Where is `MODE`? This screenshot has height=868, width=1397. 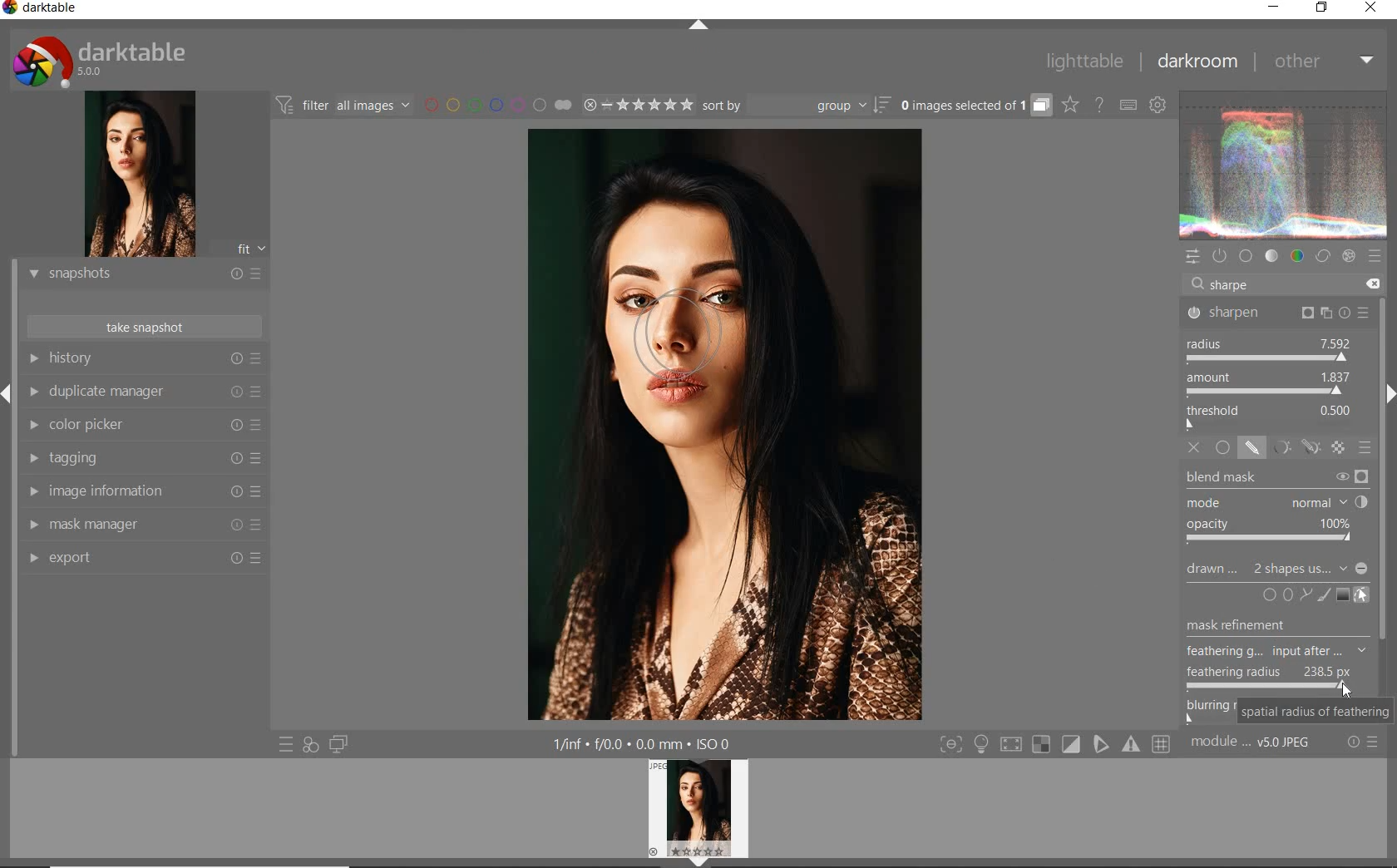
MODE is located at coordinates (1279, 501).